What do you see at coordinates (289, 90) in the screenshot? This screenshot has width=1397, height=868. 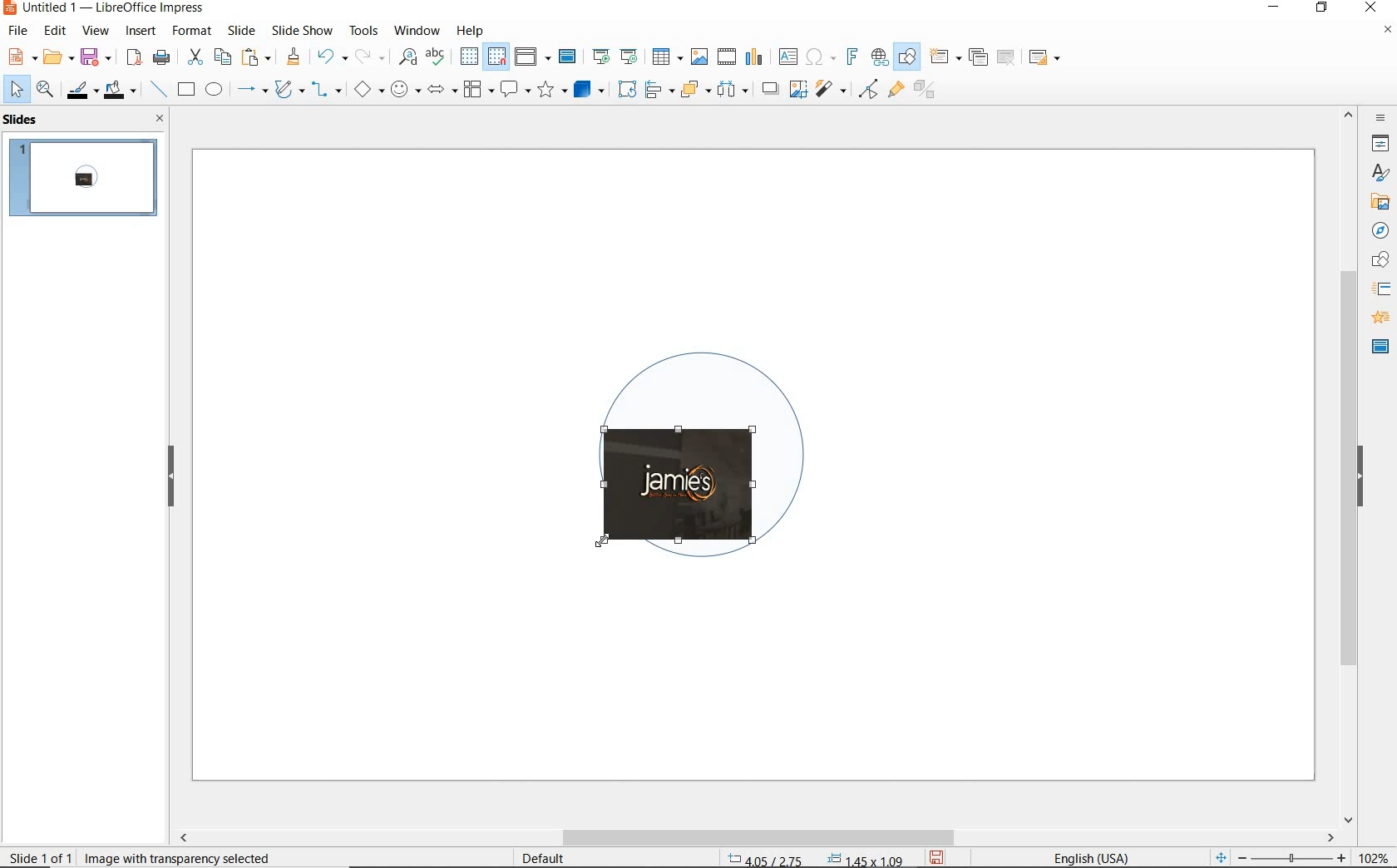 I see `curves & polygons` at bounding box center [289, 90].